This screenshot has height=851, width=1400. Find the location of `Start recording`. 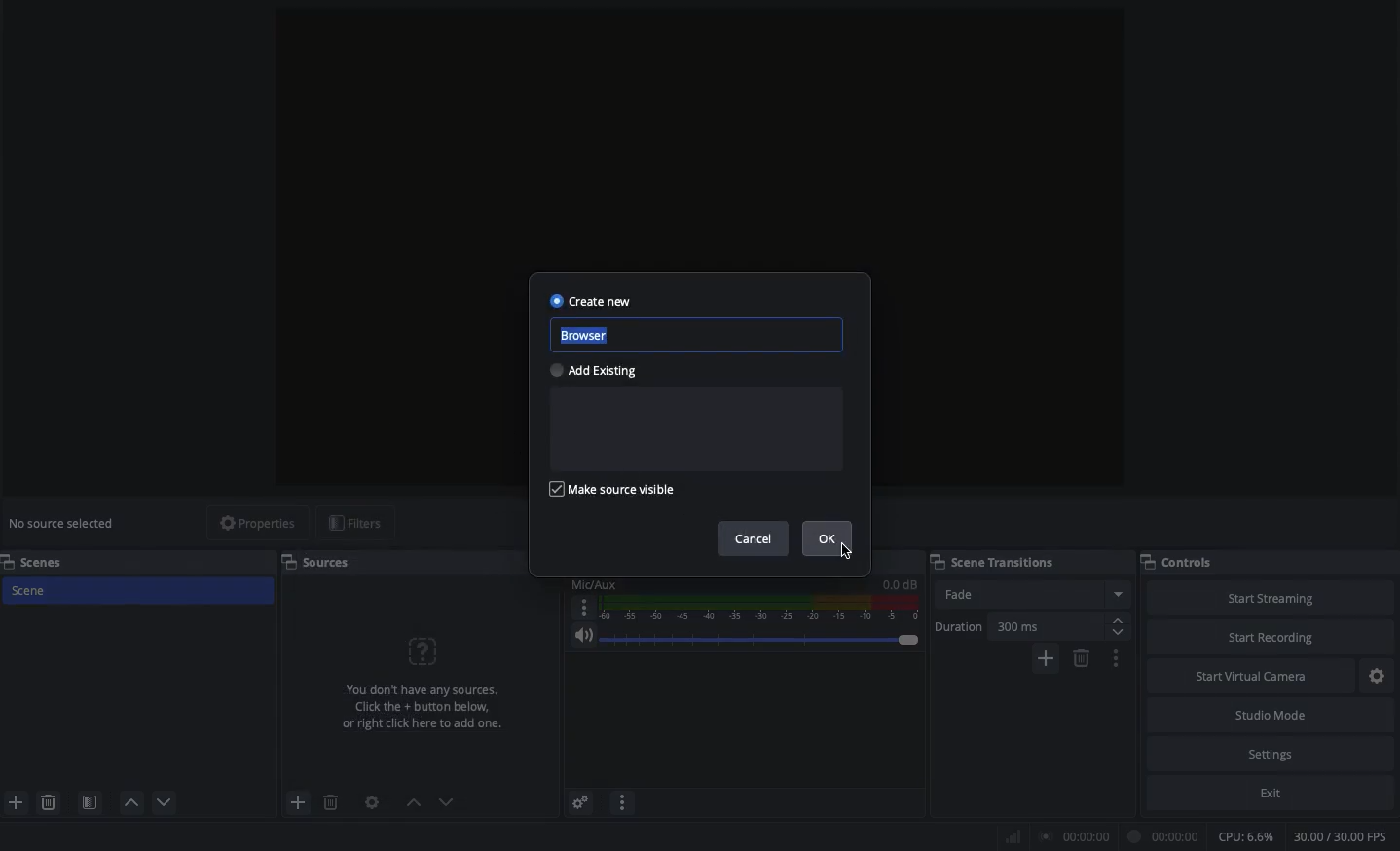

Start recording is located at coordinates (1275, 631).